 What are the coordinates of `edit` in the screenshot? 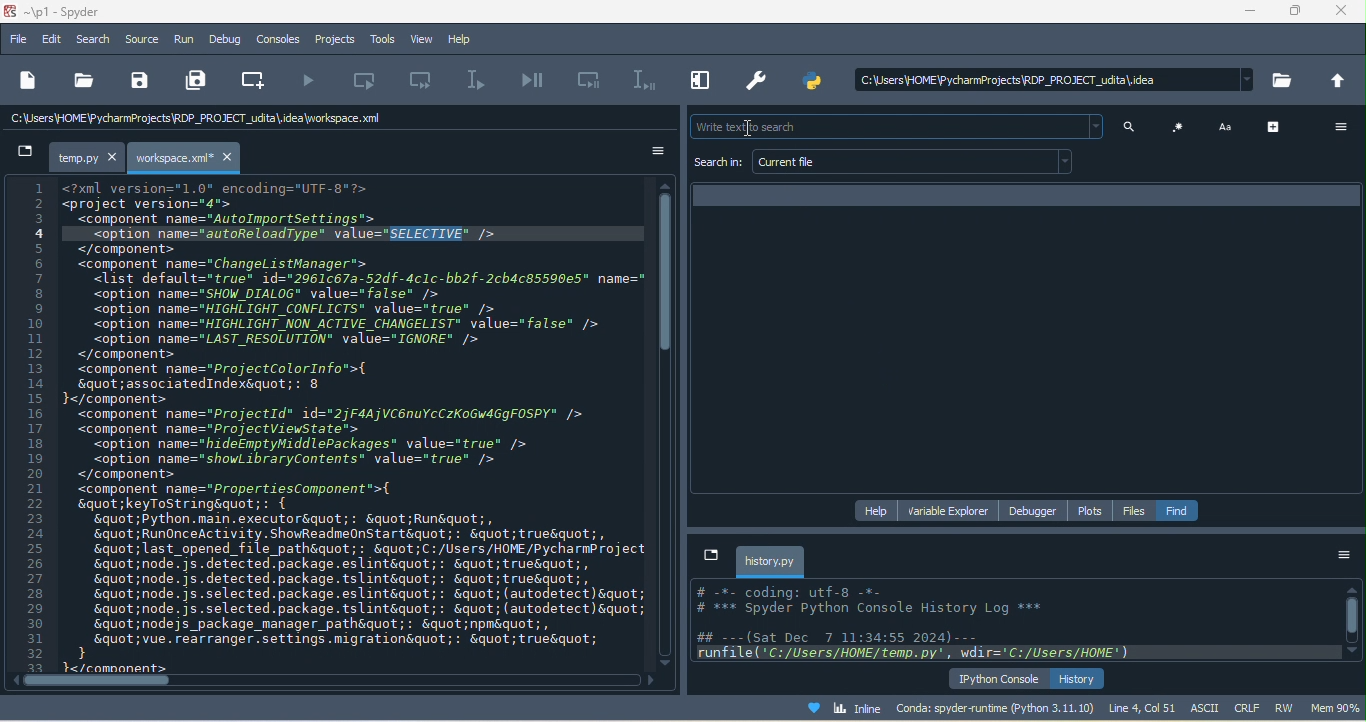 It's located at (53, 39).